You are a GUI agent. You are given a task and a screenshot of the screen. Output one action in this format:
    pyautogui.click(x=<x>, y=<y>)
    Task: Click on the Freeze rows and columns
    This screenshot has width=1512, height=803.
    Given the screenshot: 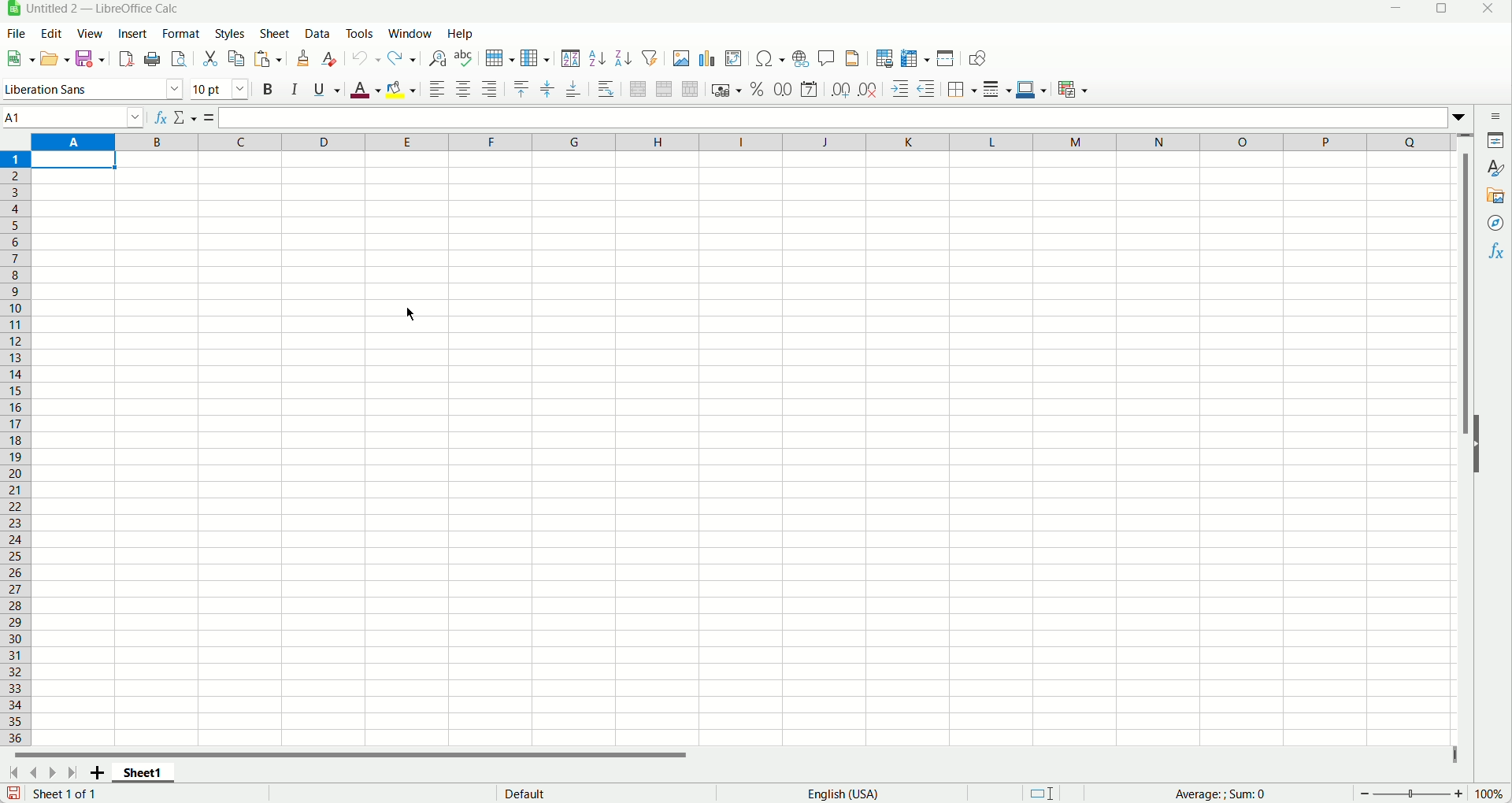 What is the action you would take?
    pyautogui.click(x=916, y=57)
    